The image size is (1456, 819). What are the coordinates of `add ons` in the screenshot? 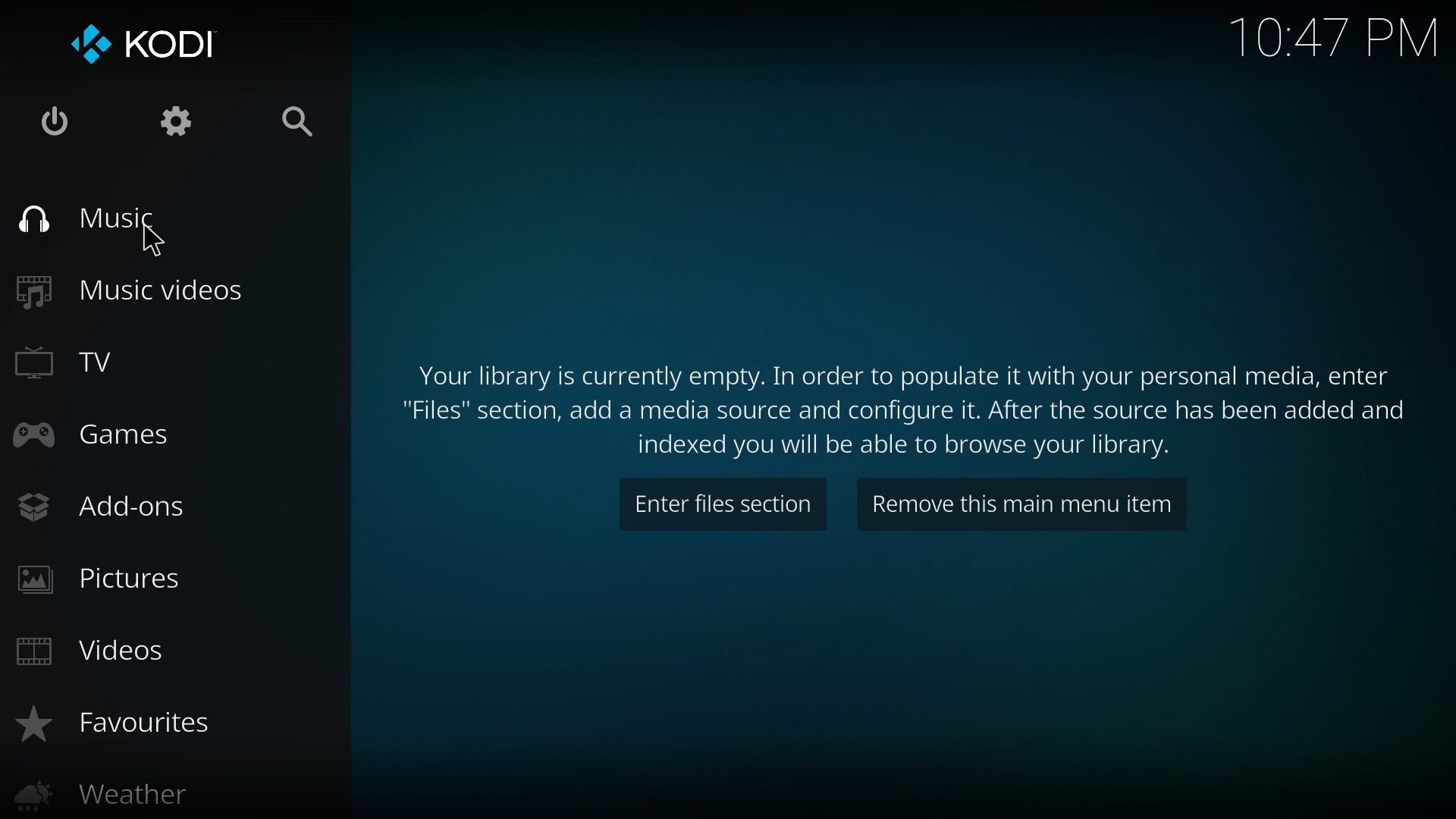 It's located at (118, 504).